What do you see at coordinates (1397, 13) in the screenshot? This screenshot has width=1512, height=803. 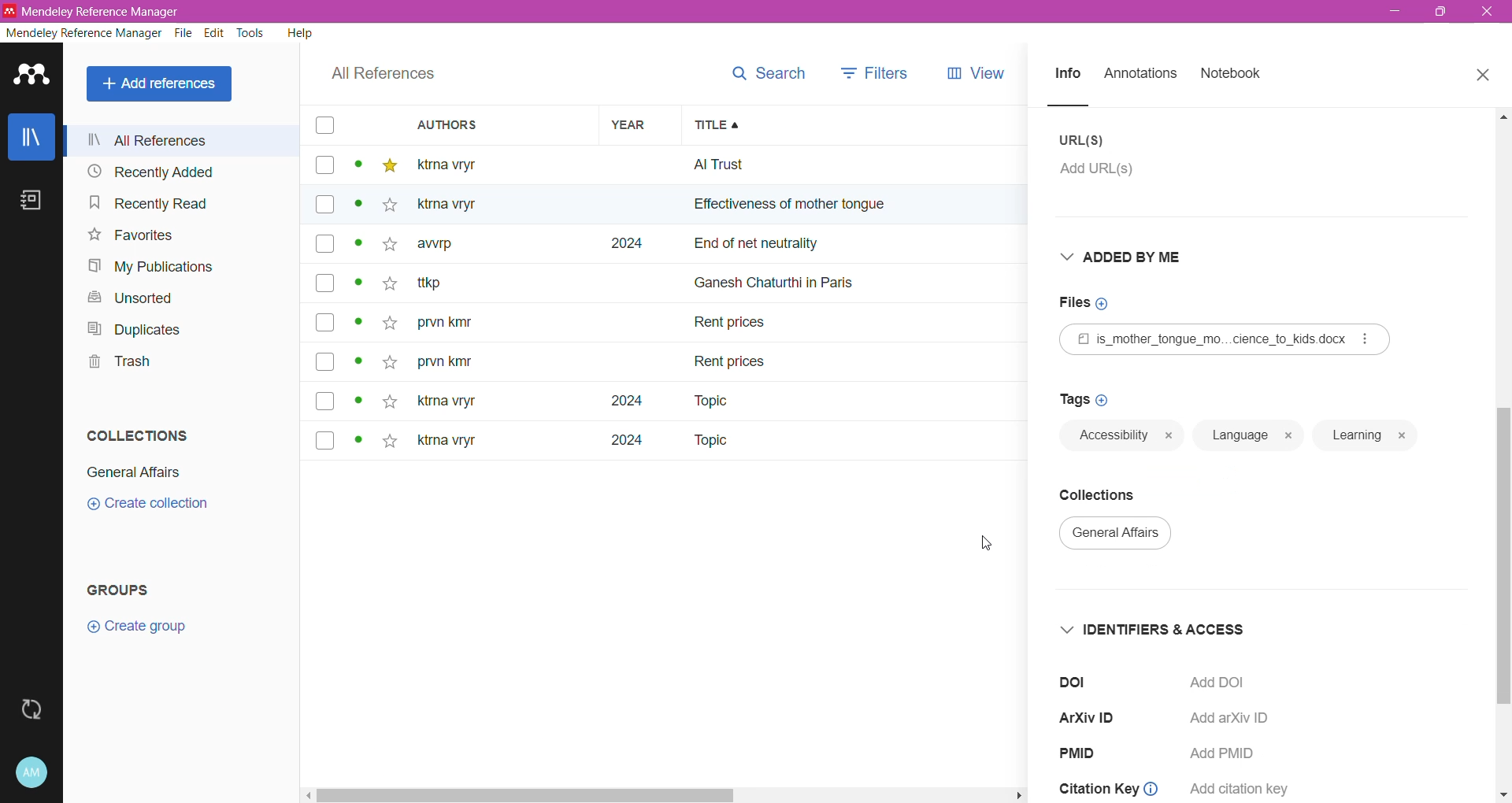 I see `minimize` at bounding box center [1397, 13].